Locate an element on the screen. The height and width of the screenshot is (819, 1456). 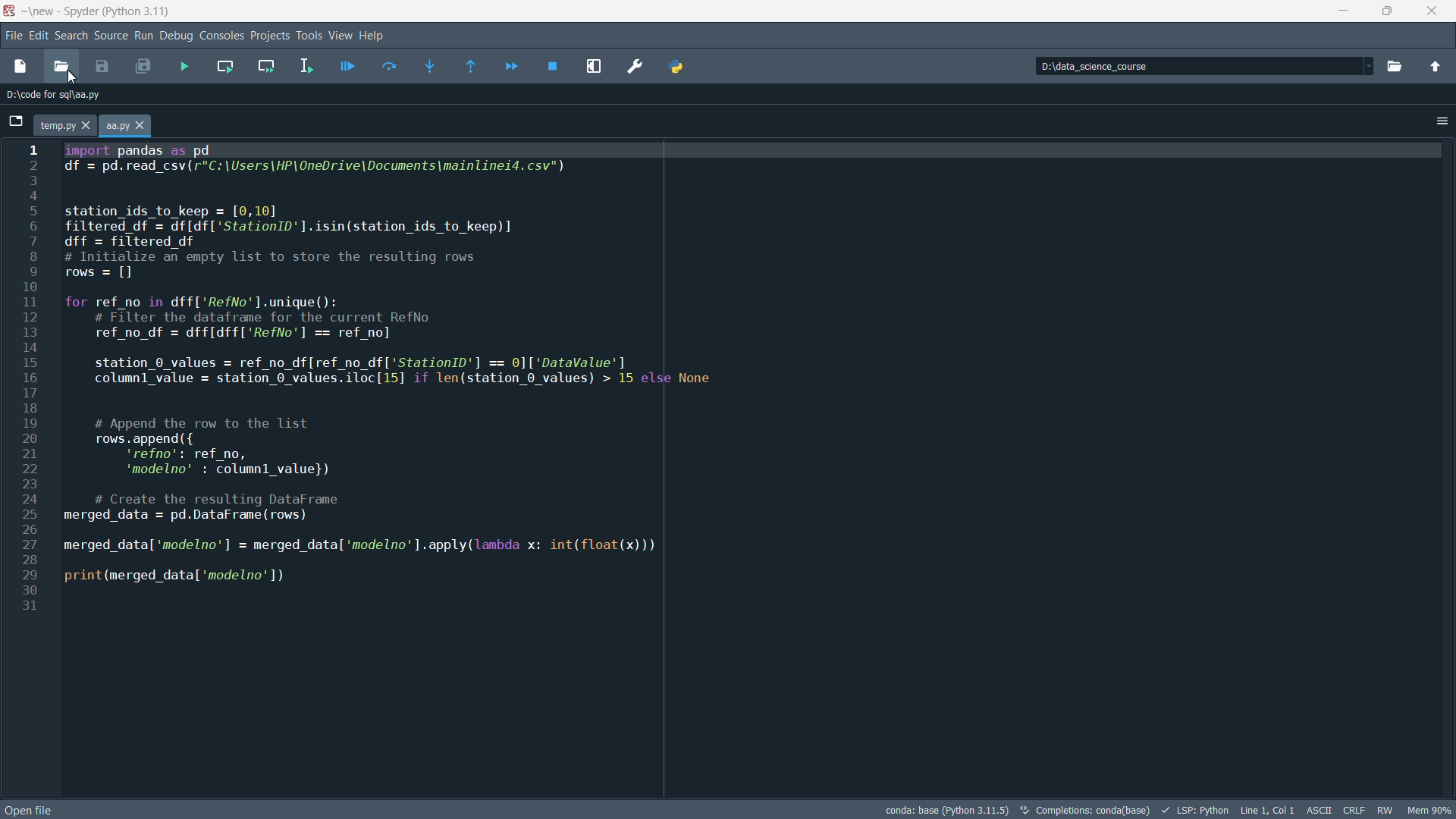
close is located at coordinates (143, 126).